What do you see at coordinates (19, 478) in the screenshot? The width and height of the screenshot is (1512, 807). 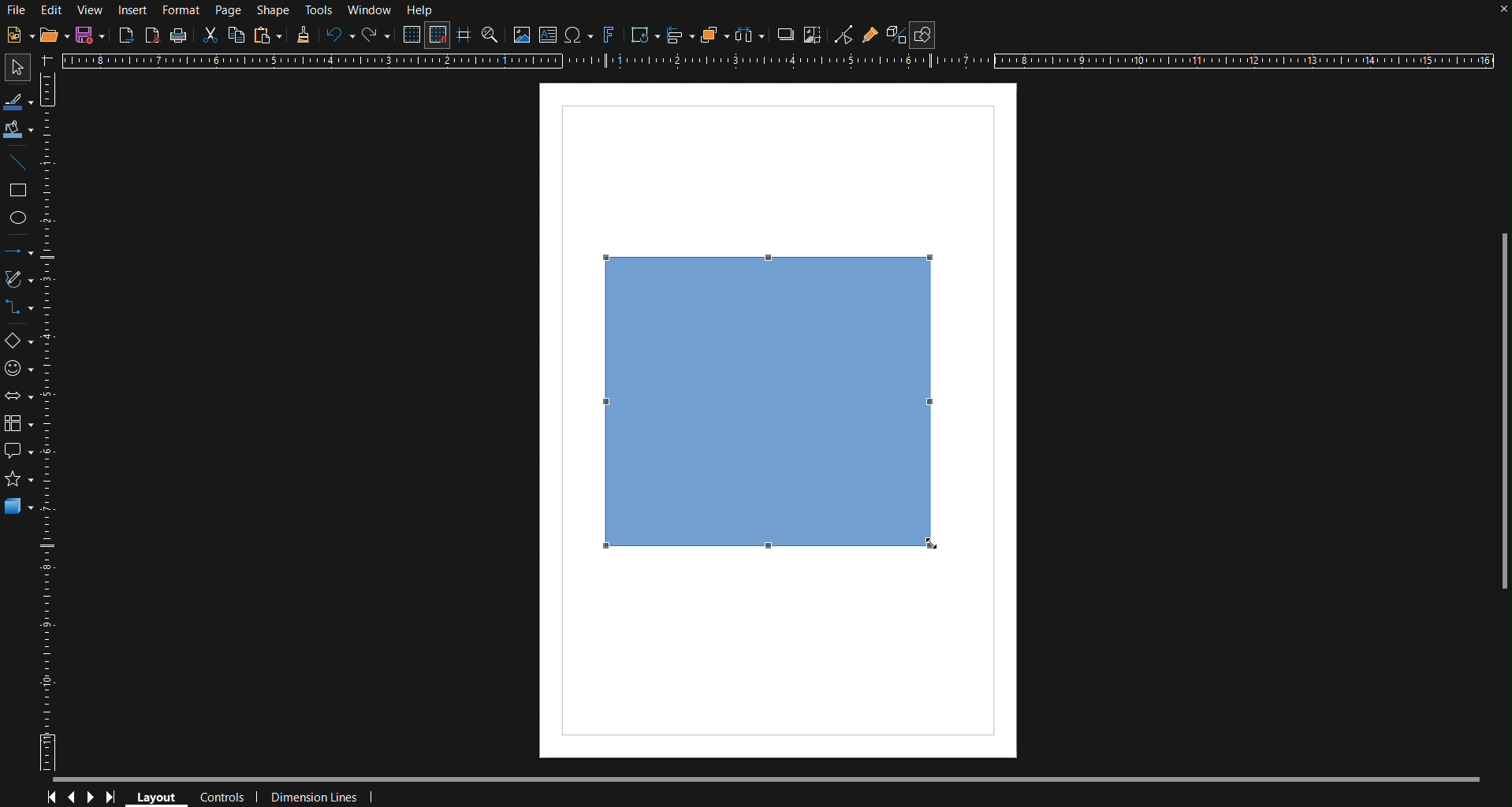 I see `Stars and Banners` at bounding box center [19, 478].